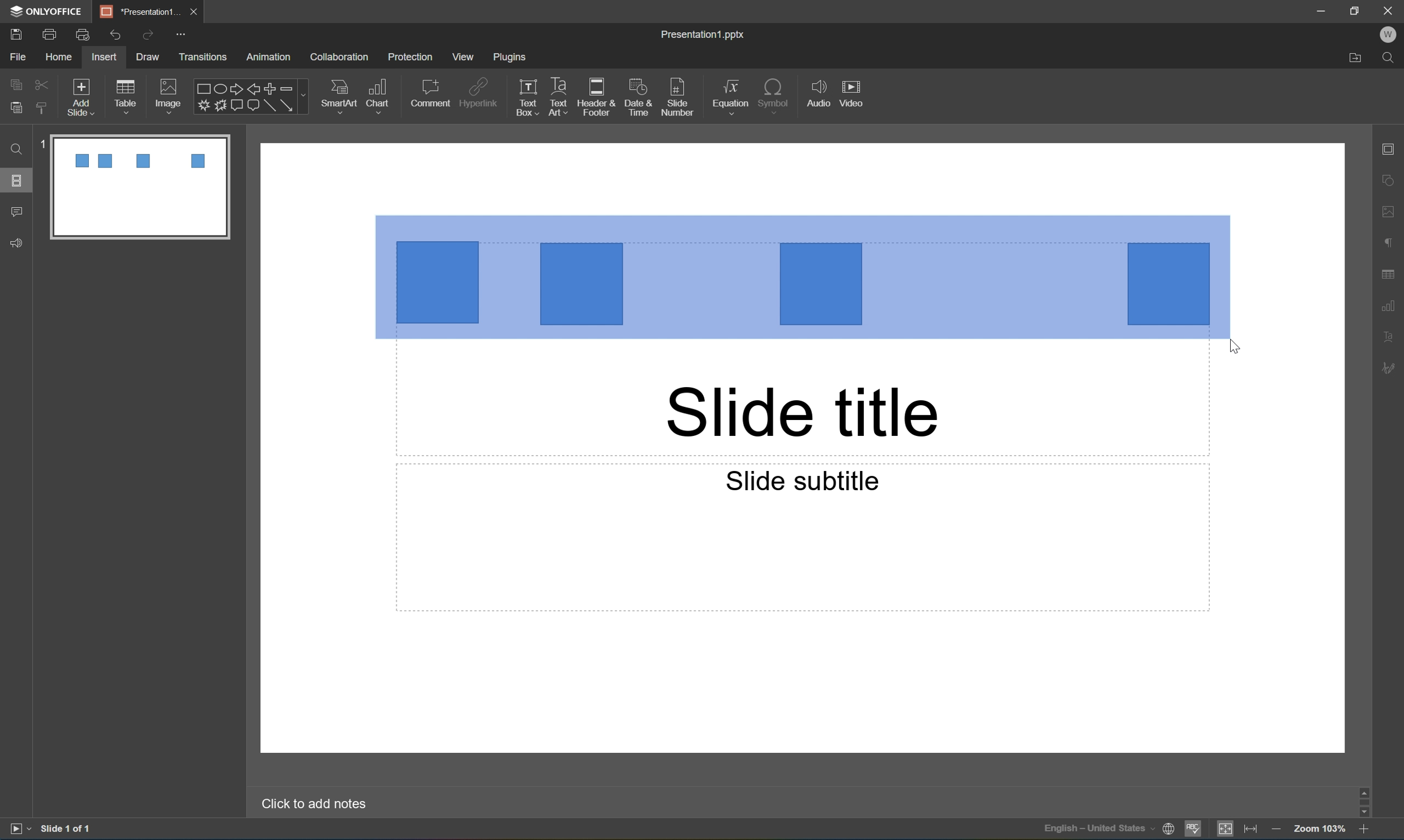  What do you see at coordinates (42, 108) in the screenshot?
I see `copy style` at bounding box center [42, 108].